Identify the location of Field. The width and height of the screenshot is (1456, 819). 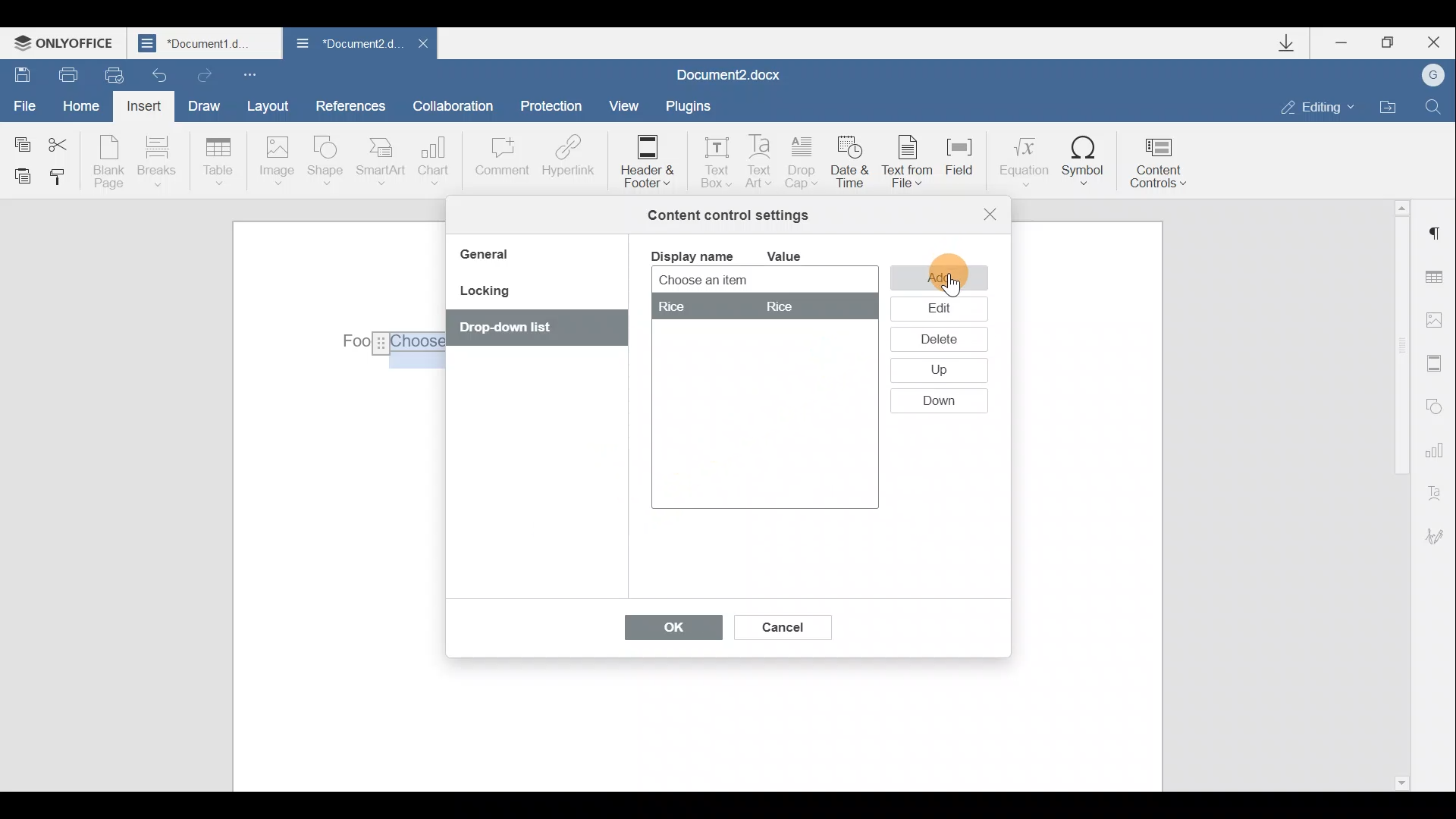
(966, 166).